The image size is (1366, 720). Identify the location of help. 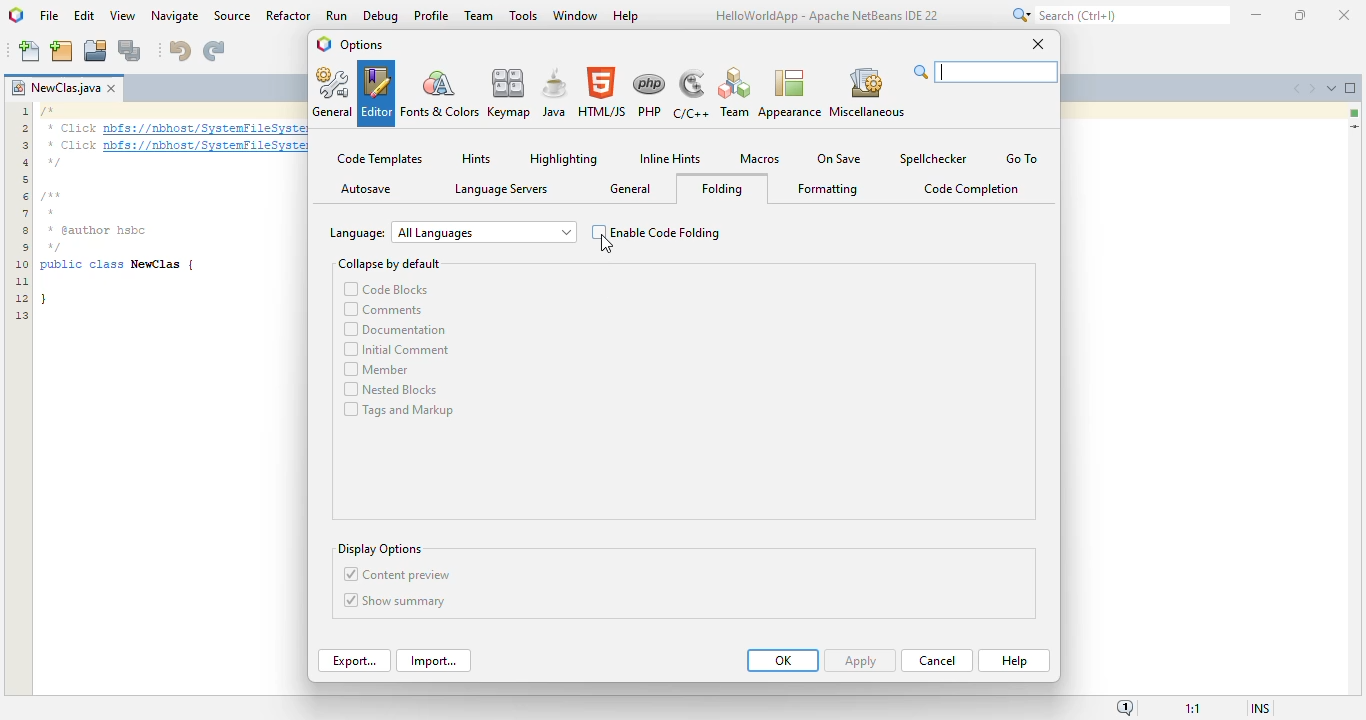
(1016, 661).